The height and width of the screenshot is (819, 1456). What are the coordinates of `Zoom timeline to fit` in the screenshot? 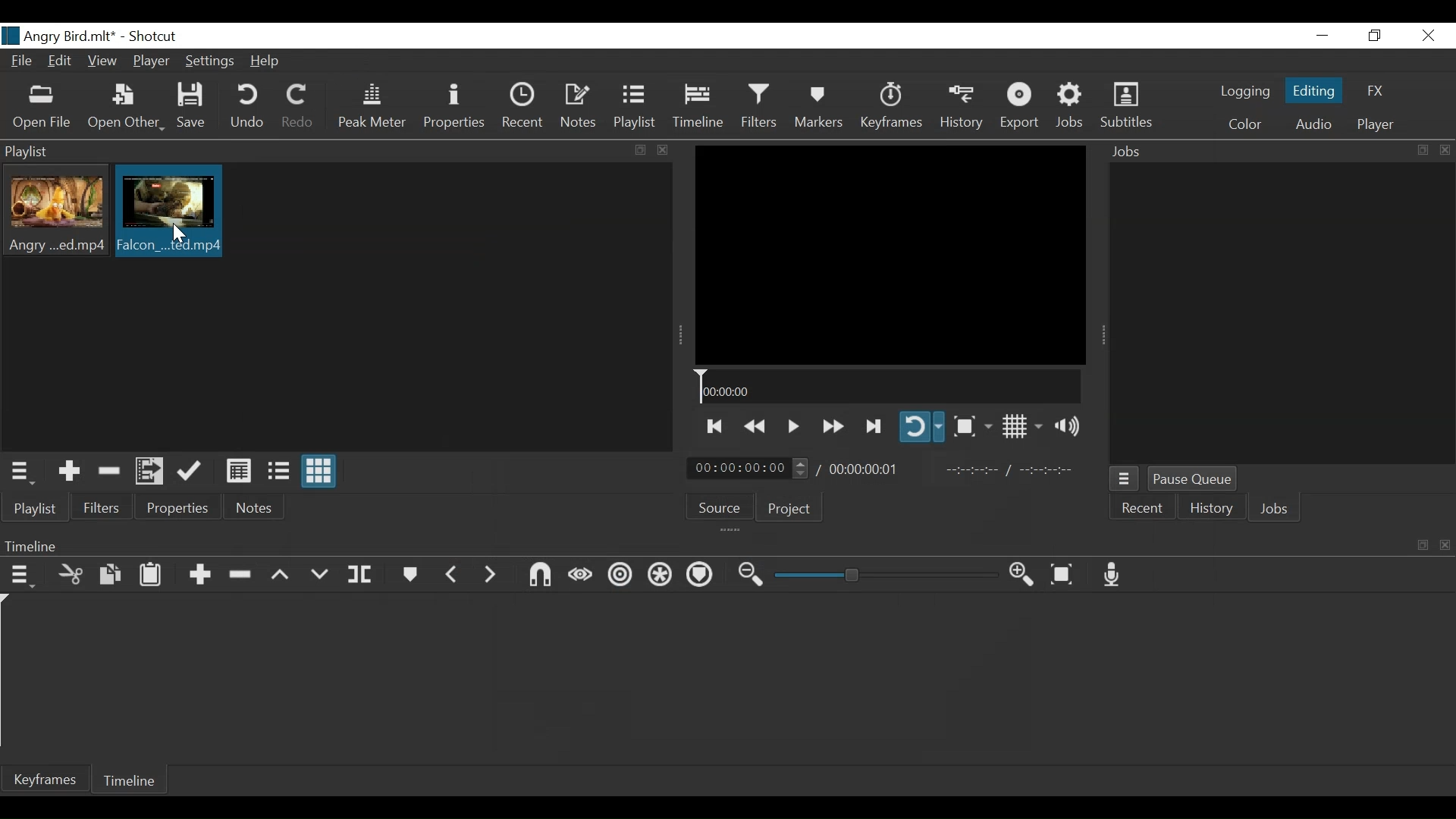 It's located at (1068, 573).